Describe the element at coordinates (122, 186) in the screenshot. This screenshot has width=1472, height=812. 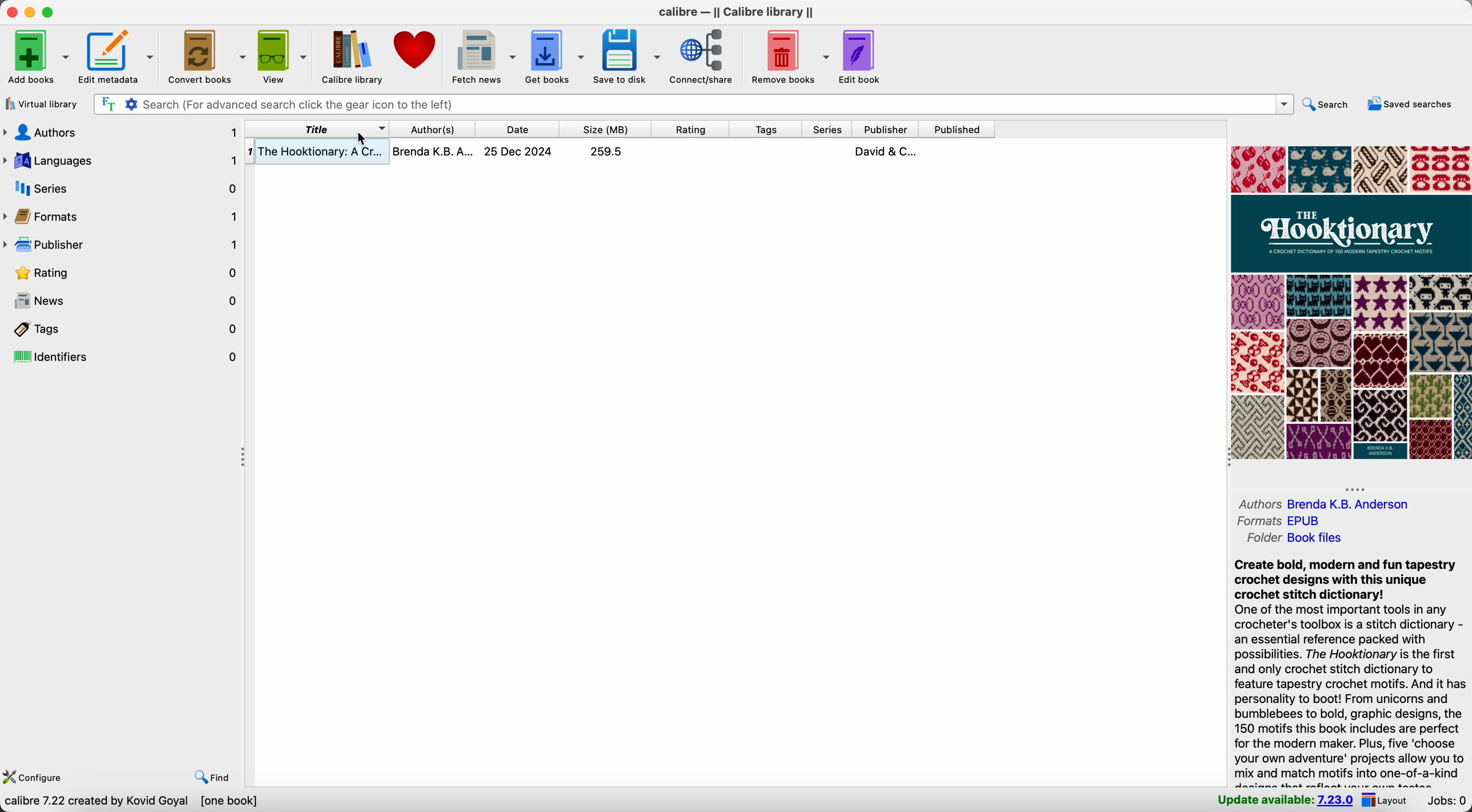
I see `series` at that location.